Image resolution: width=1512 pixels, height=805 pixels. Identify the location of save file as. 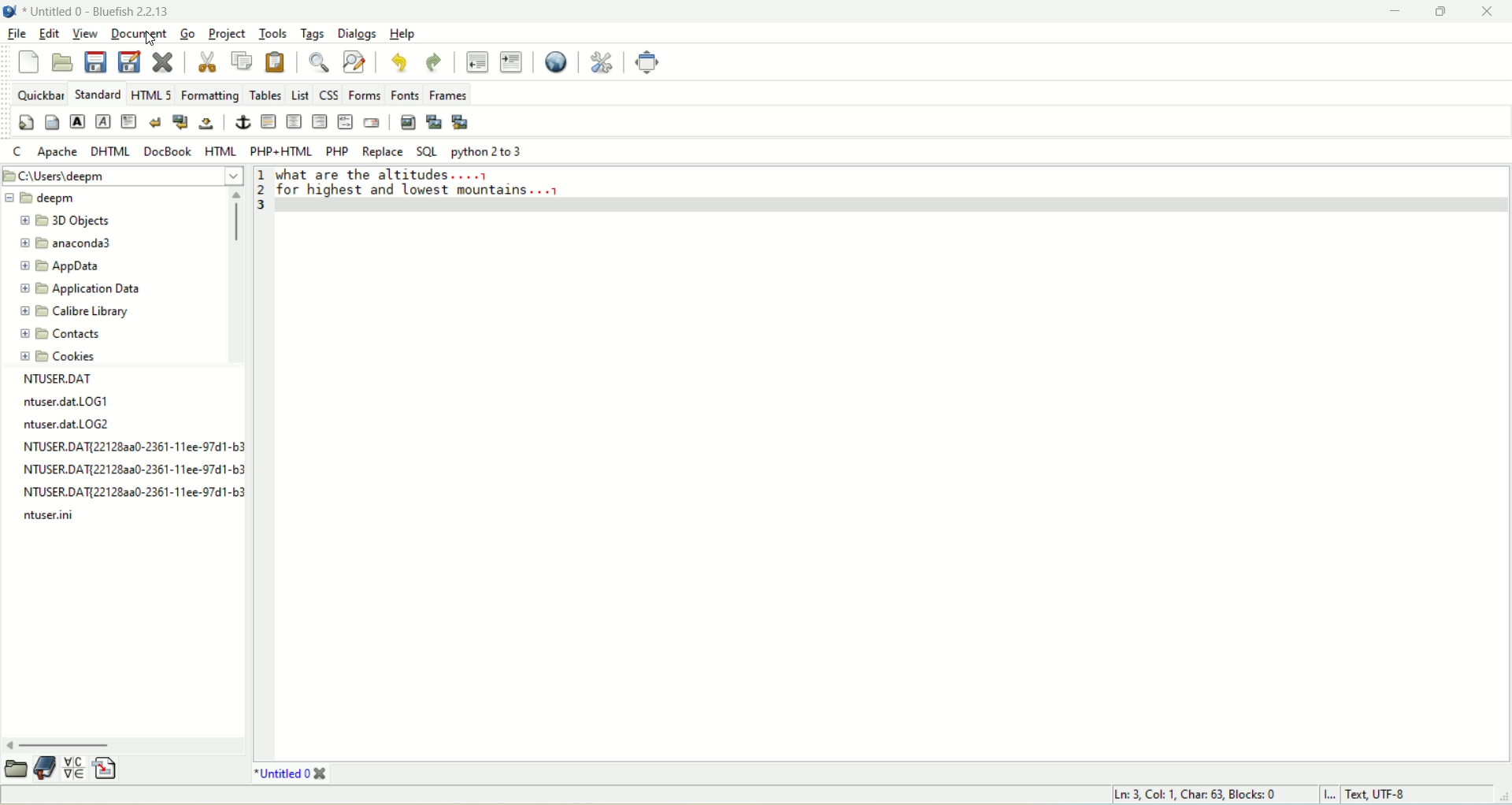
(130, 61).